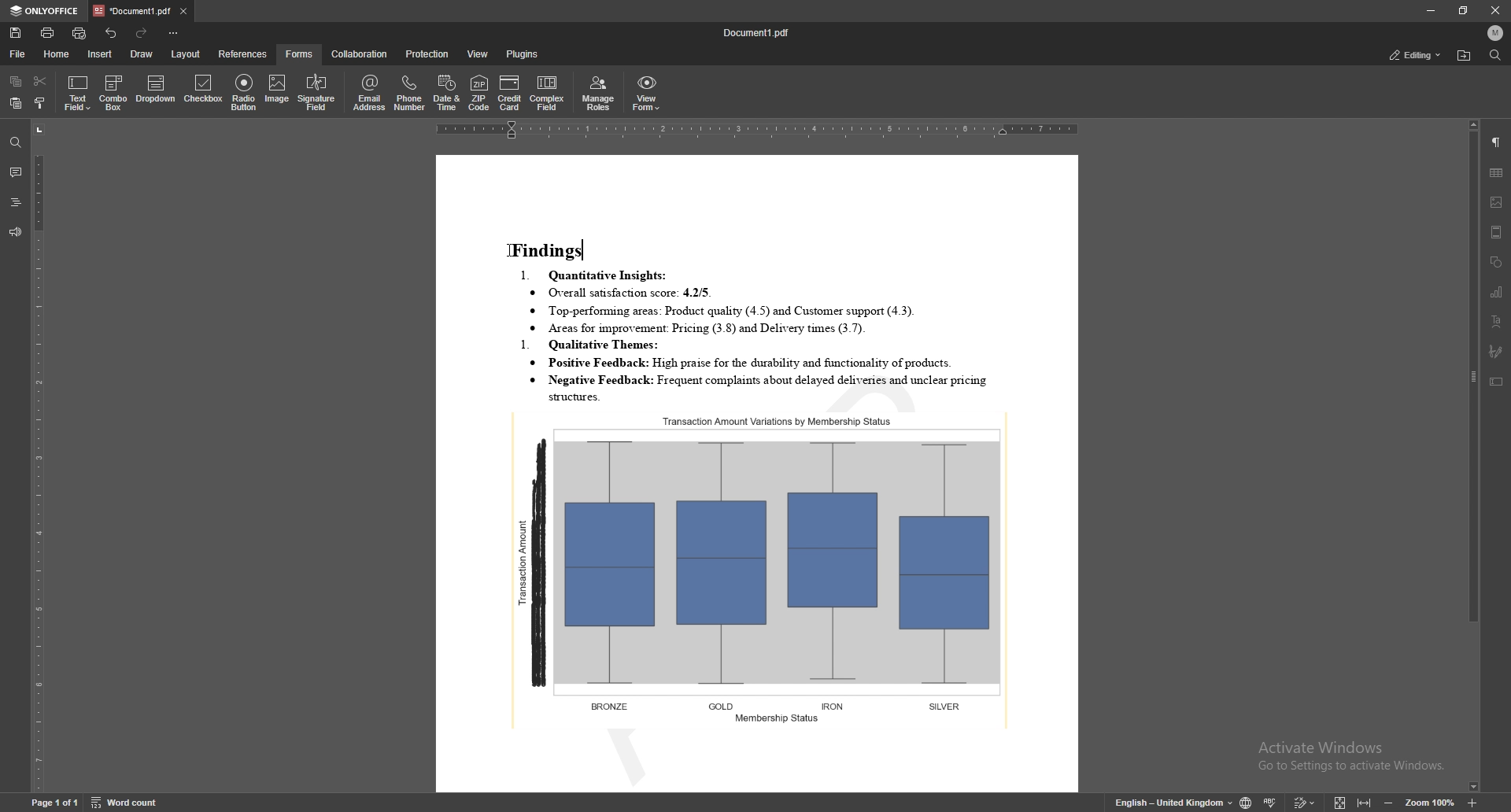  I want to click on zip code, so click(479, 94).